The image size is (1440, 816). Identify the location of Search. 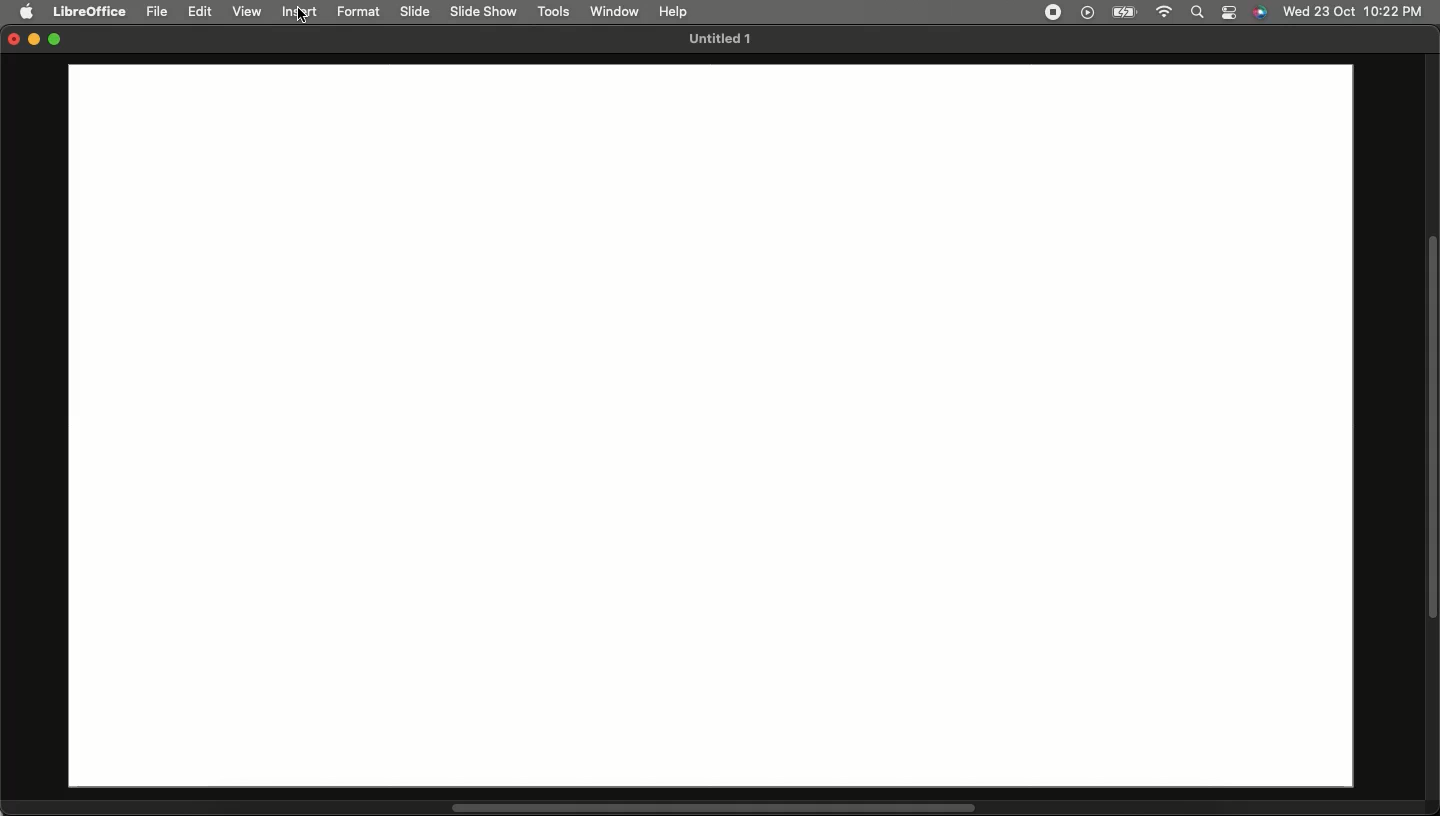
(1196, 13).